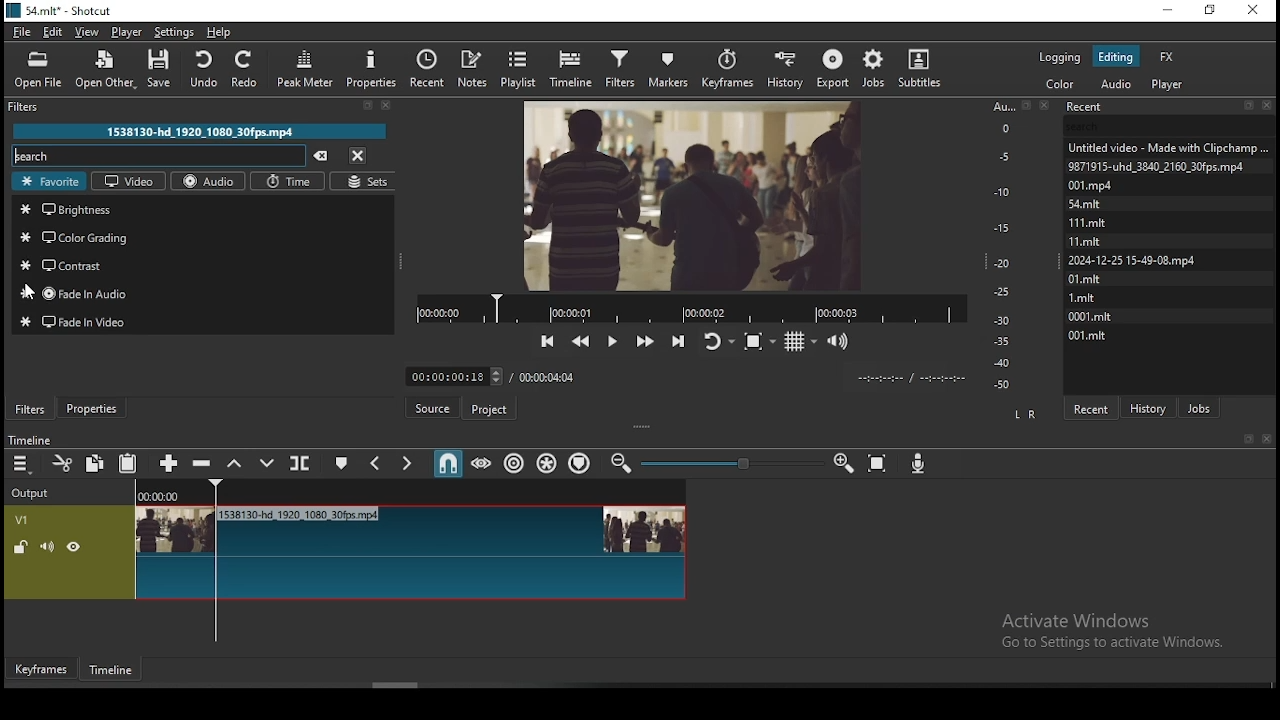 Image resolution: width=1280 pixels, height=720 pixels. Describe the element at coordinates (623, 68) in the screenshot. I see `filters` at that location.